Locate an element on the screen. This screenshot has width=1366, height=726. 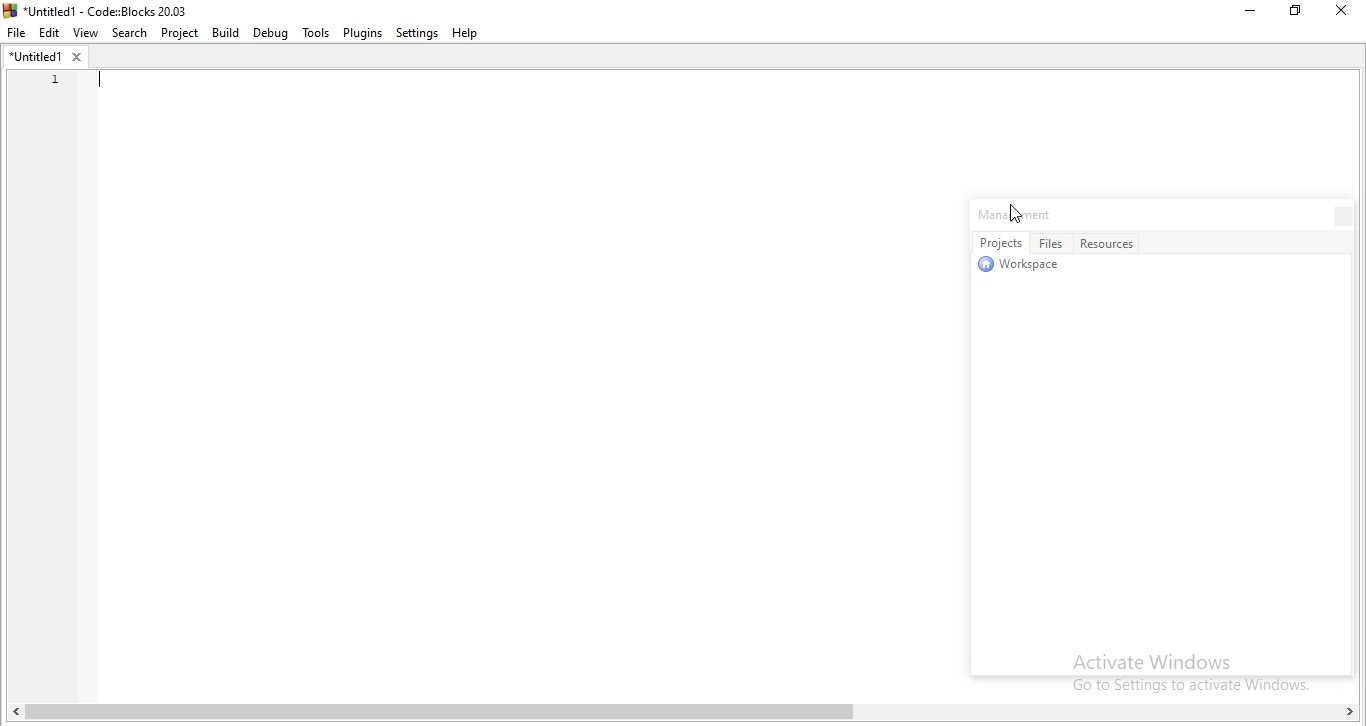
files is located at coordinates (1053, 243).